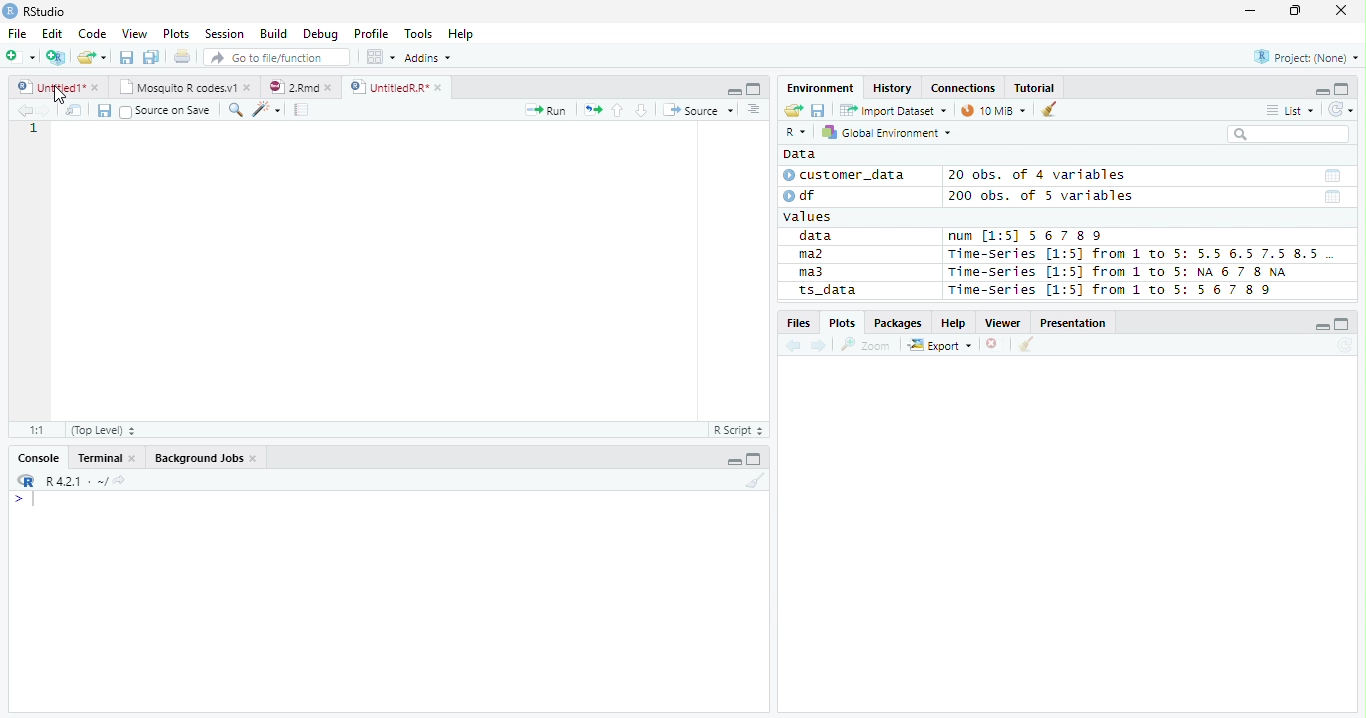  I want to click on Open folder, so click(791, 111).